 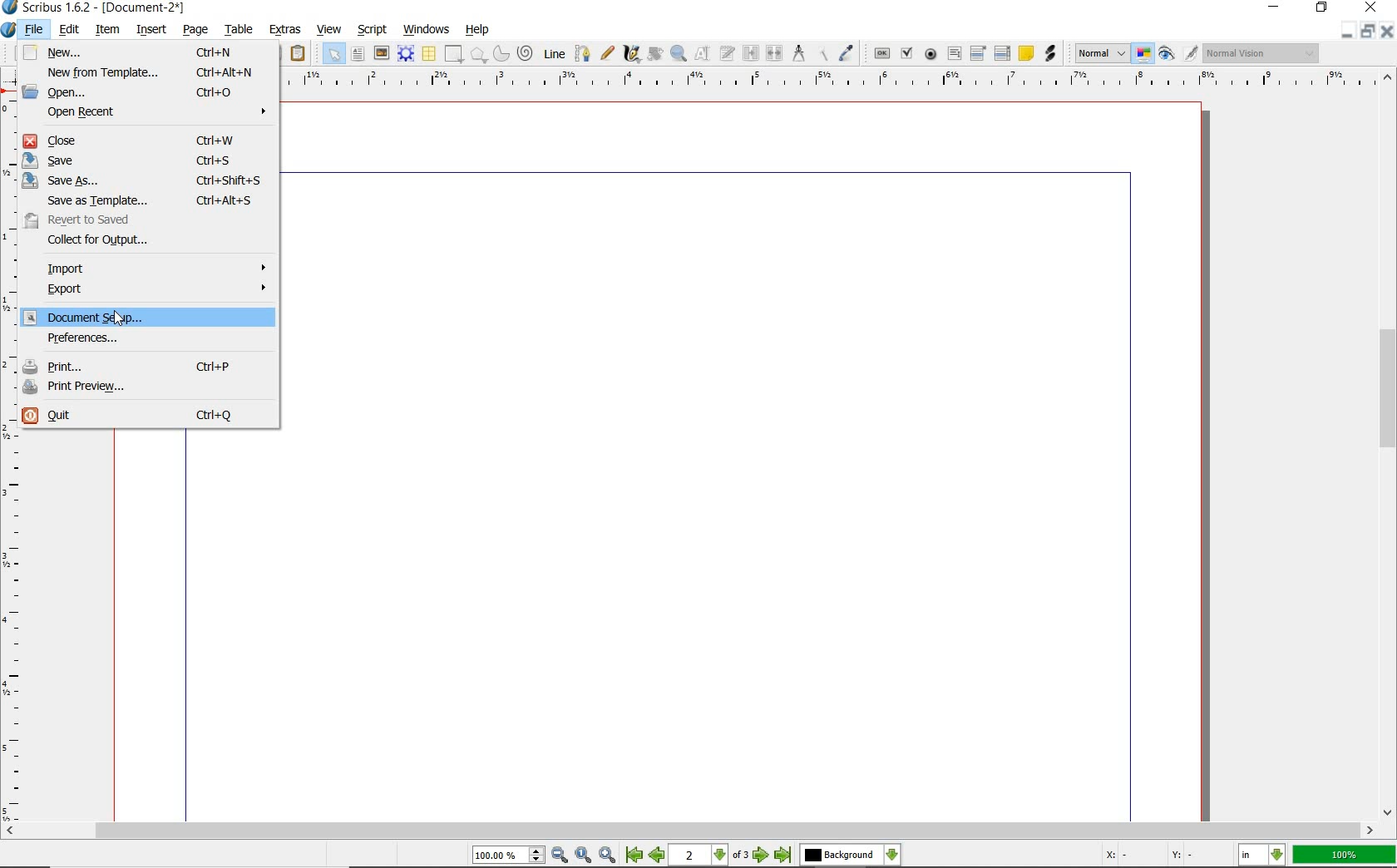 I want to click on print, so click(x=148, y=365).